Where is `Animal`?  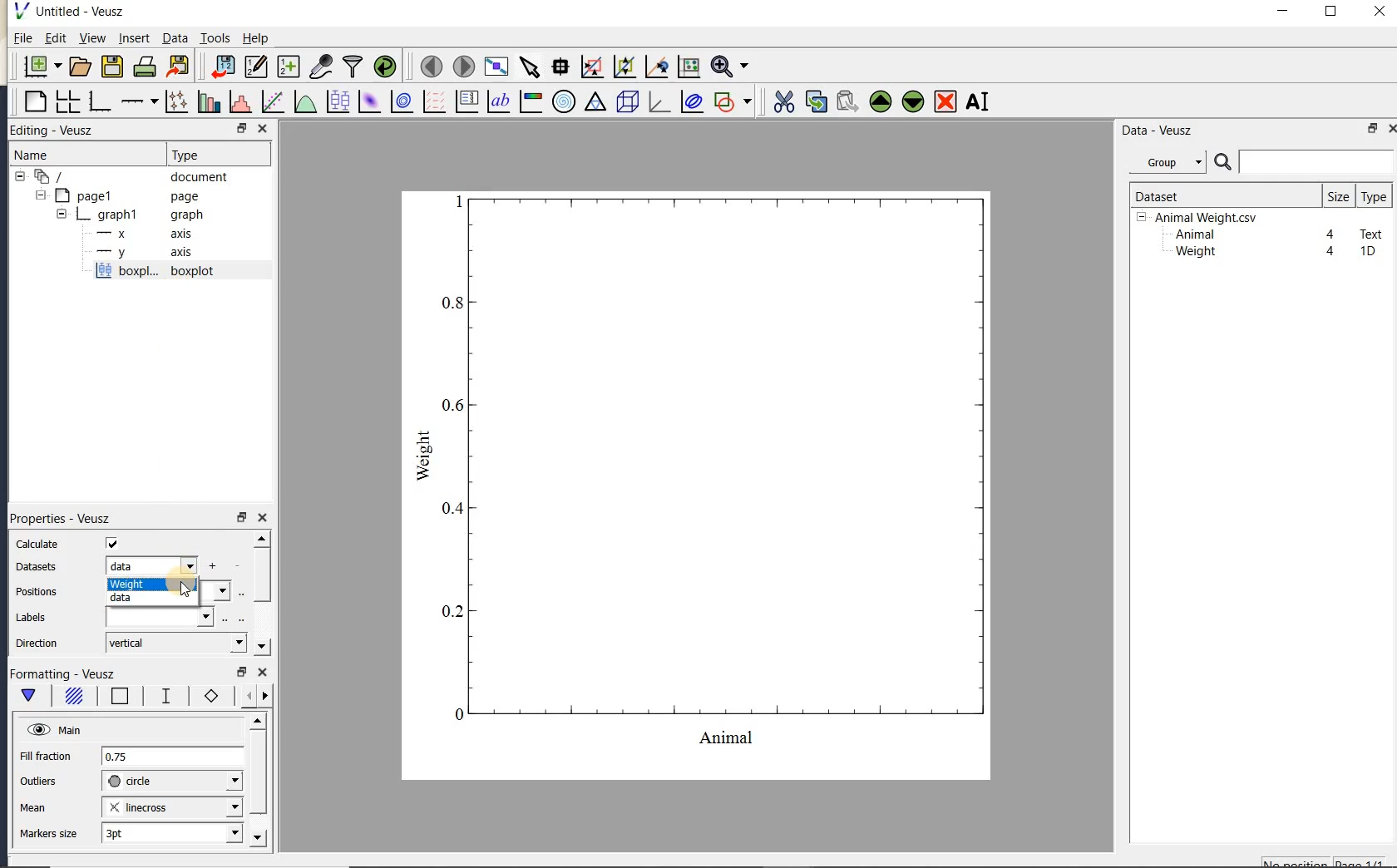 Animal is located at coordinates (1193, 235).